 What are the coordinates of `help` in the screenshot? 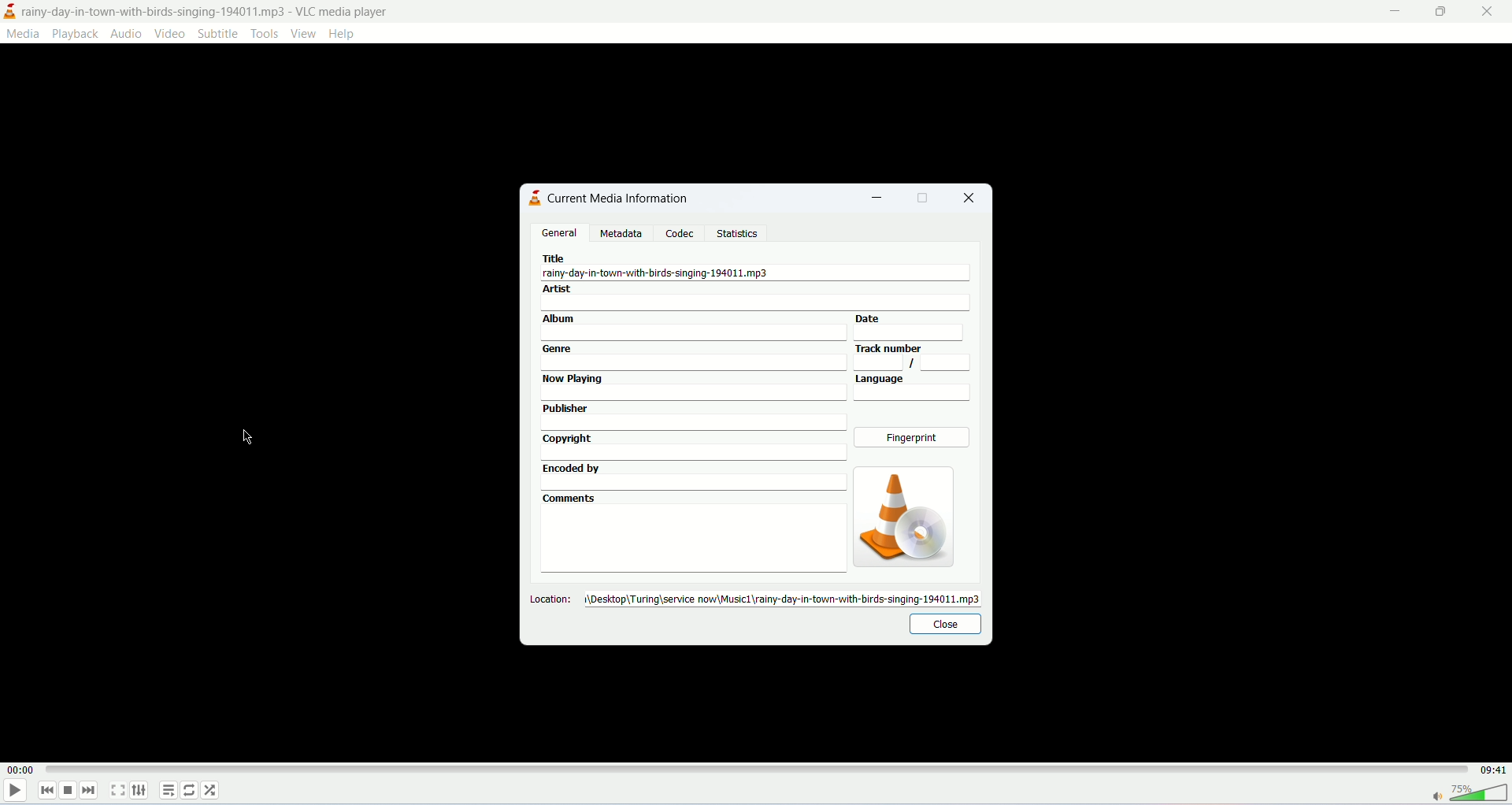 It's located at (343, 35).